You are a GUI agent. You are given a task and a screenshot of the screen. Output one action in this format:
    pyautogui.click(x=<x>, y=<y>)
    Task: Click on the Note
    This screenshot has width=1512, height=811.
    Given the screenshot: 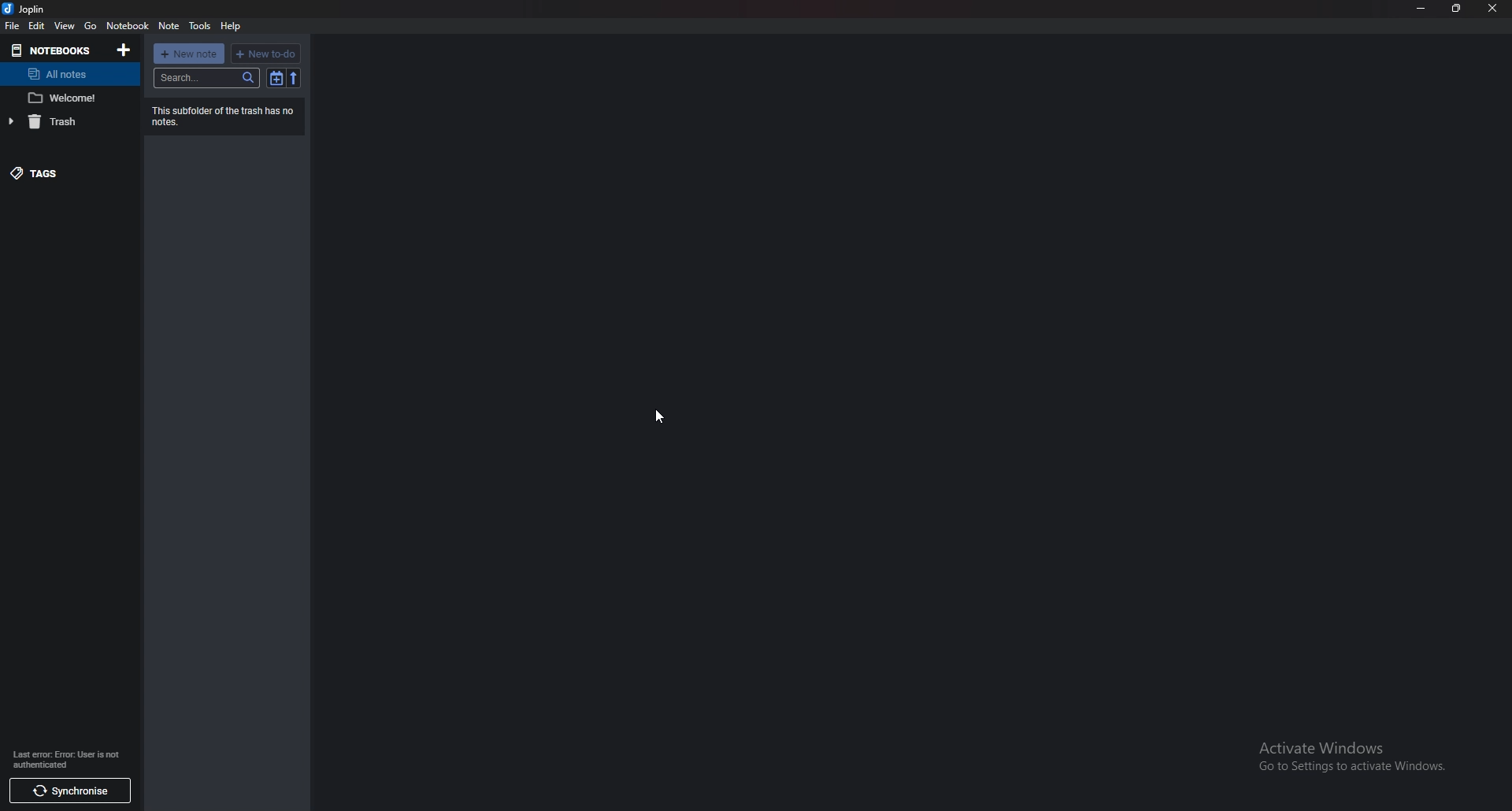 What is the action you would take?
    pyautogui.click(x=69, y=98)
    